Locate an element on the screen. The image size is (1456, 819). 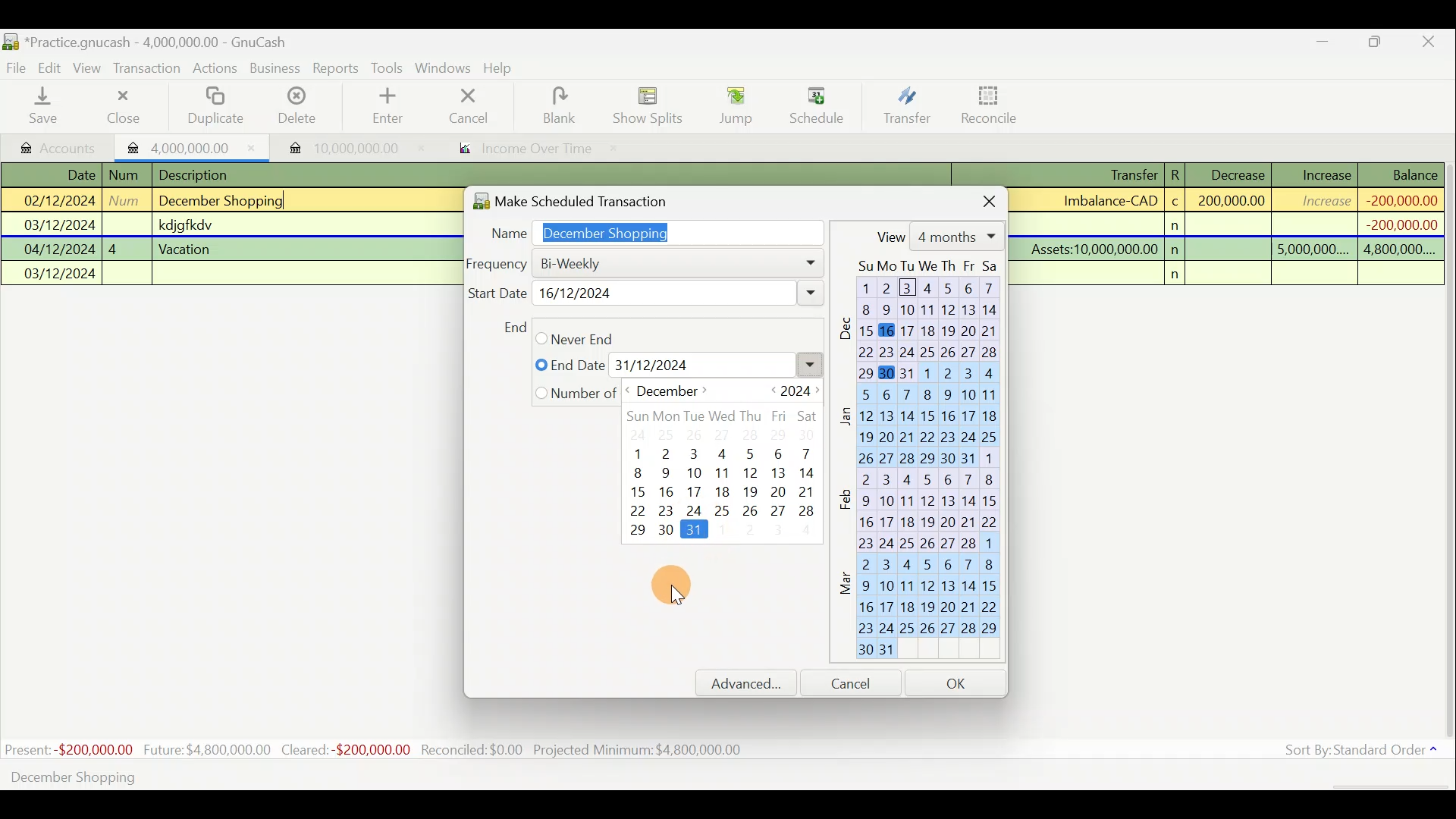
Cancel is located at coordinates (858, 682).